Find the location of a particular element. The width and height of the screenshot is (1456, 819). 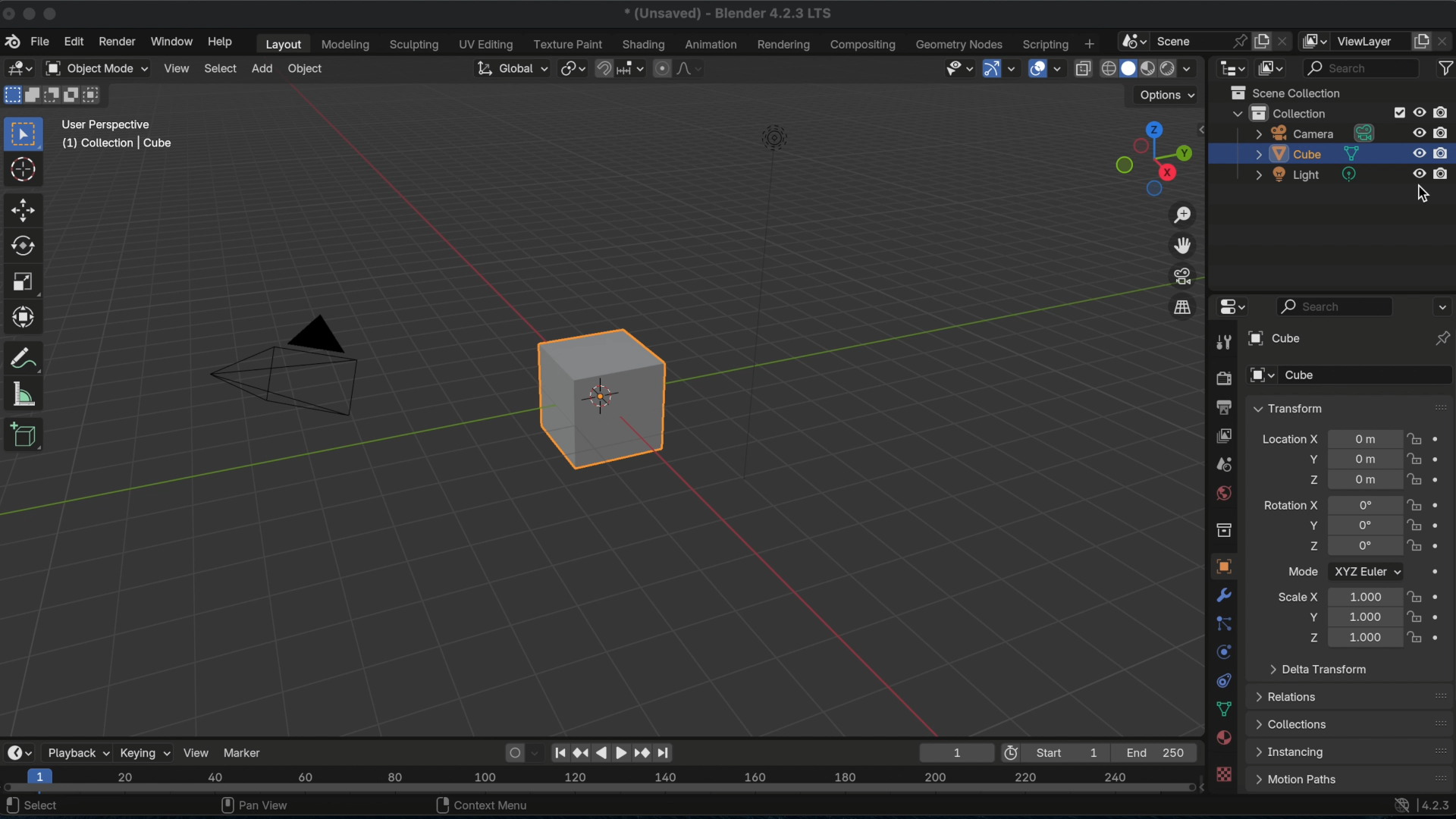

modelling is located at coordinates (344, 45).